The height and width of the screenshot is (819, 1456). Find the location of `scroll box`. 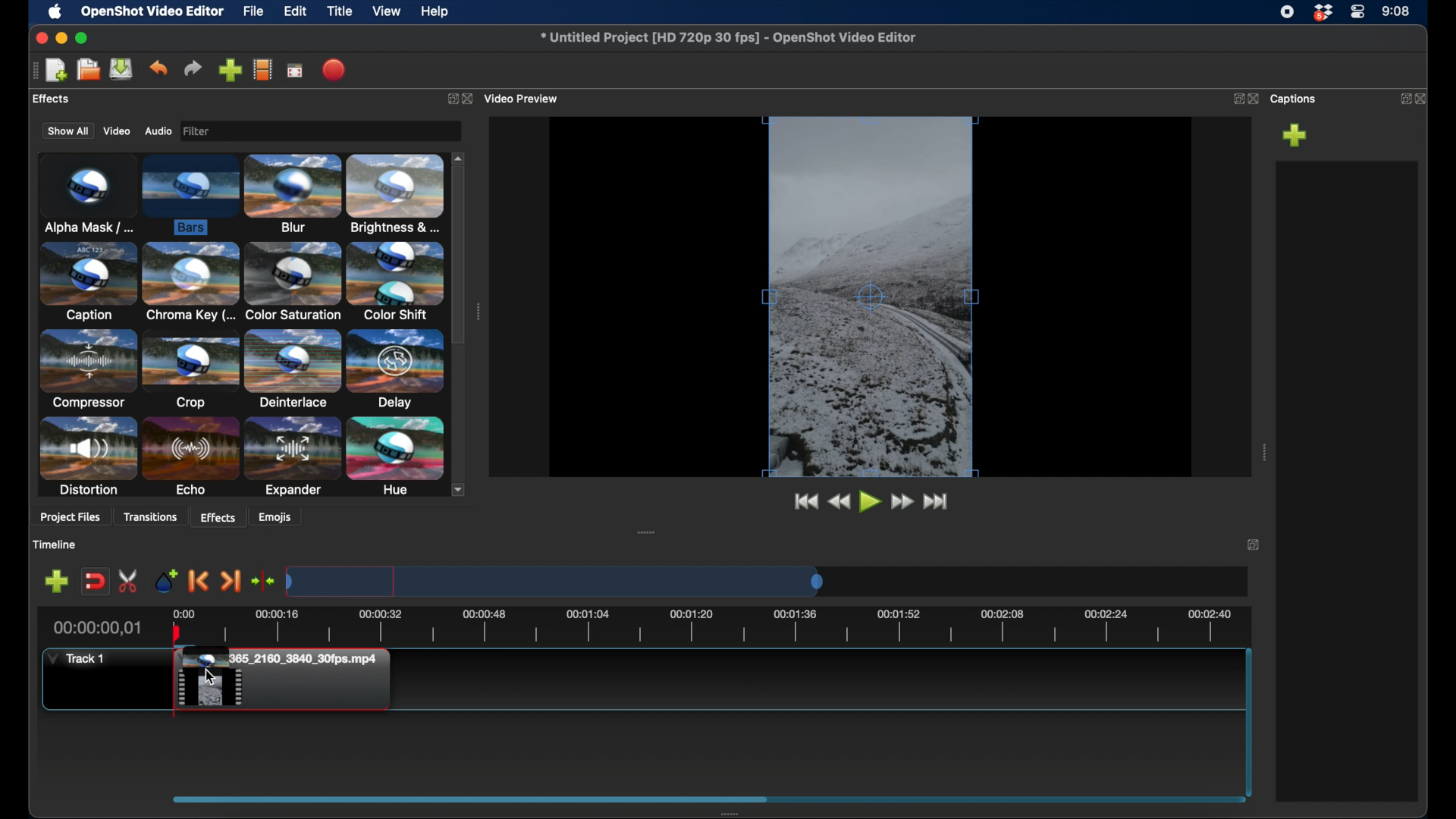

scroll box is located at coordinates (469, 799).